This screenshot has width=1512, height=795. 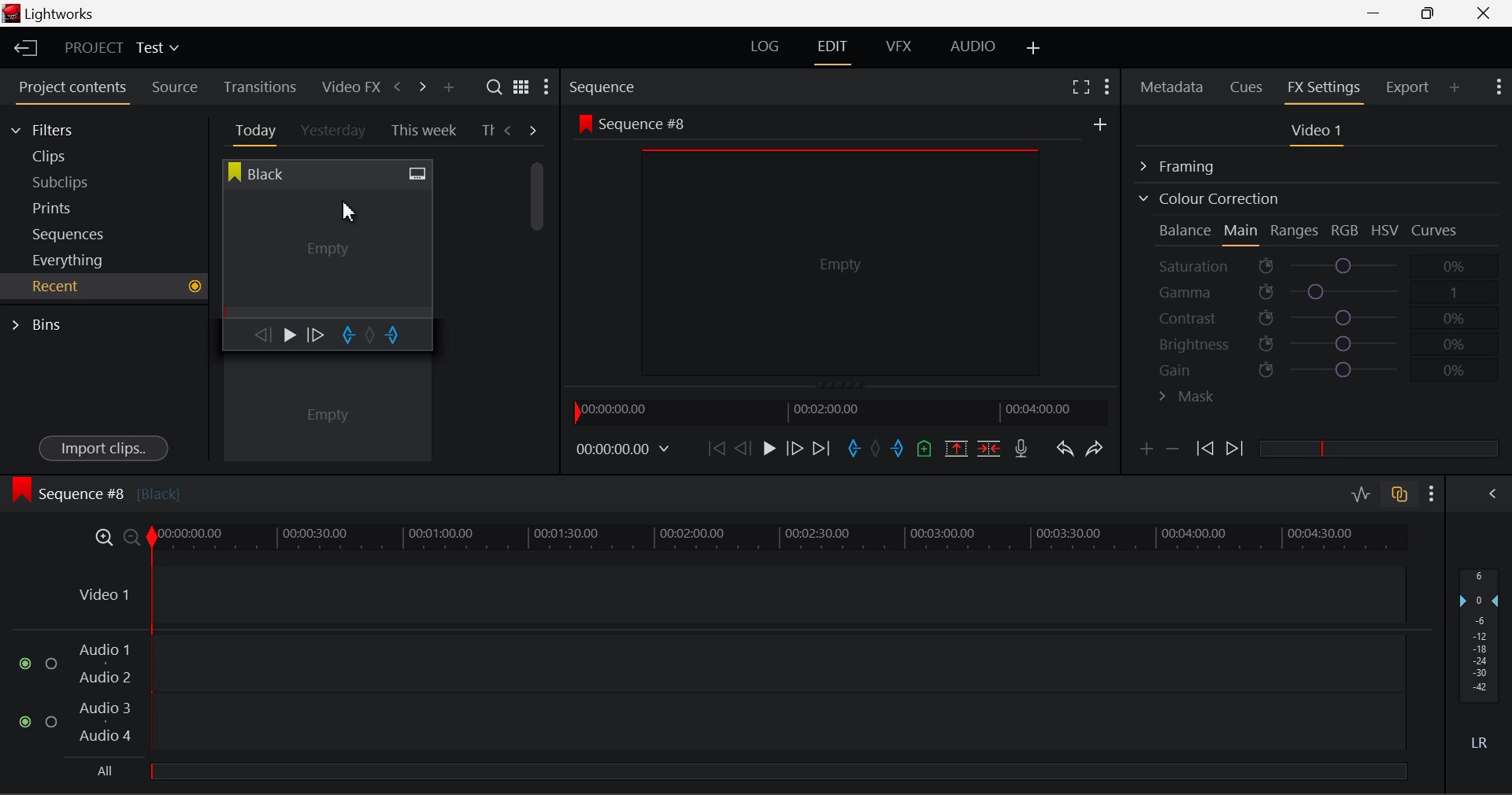 I want to click on Cues Panel, so click(x=1248, y=85).